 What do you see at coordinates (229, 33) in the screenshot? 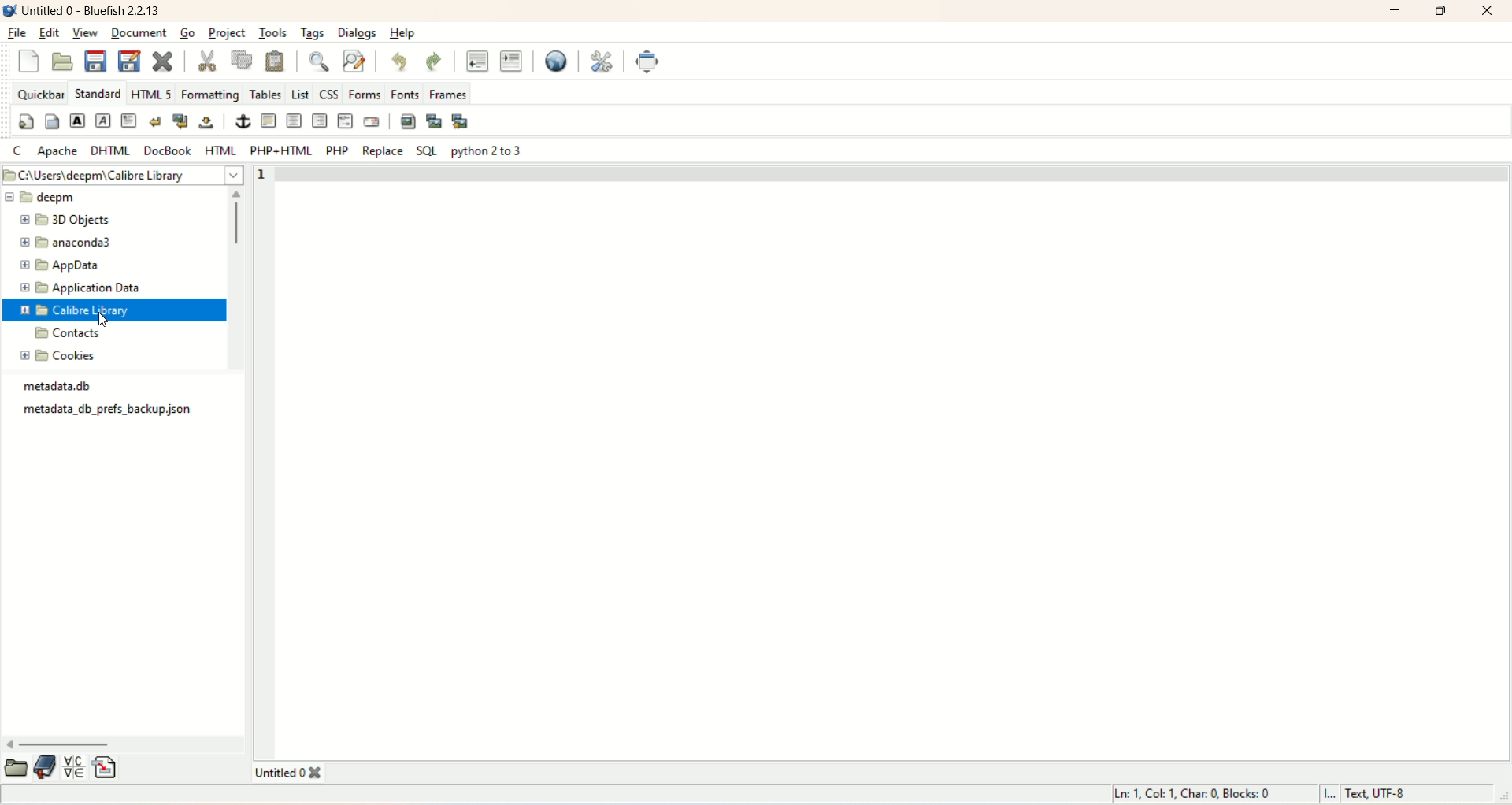
I see `project` at bounding box center [229, 33].